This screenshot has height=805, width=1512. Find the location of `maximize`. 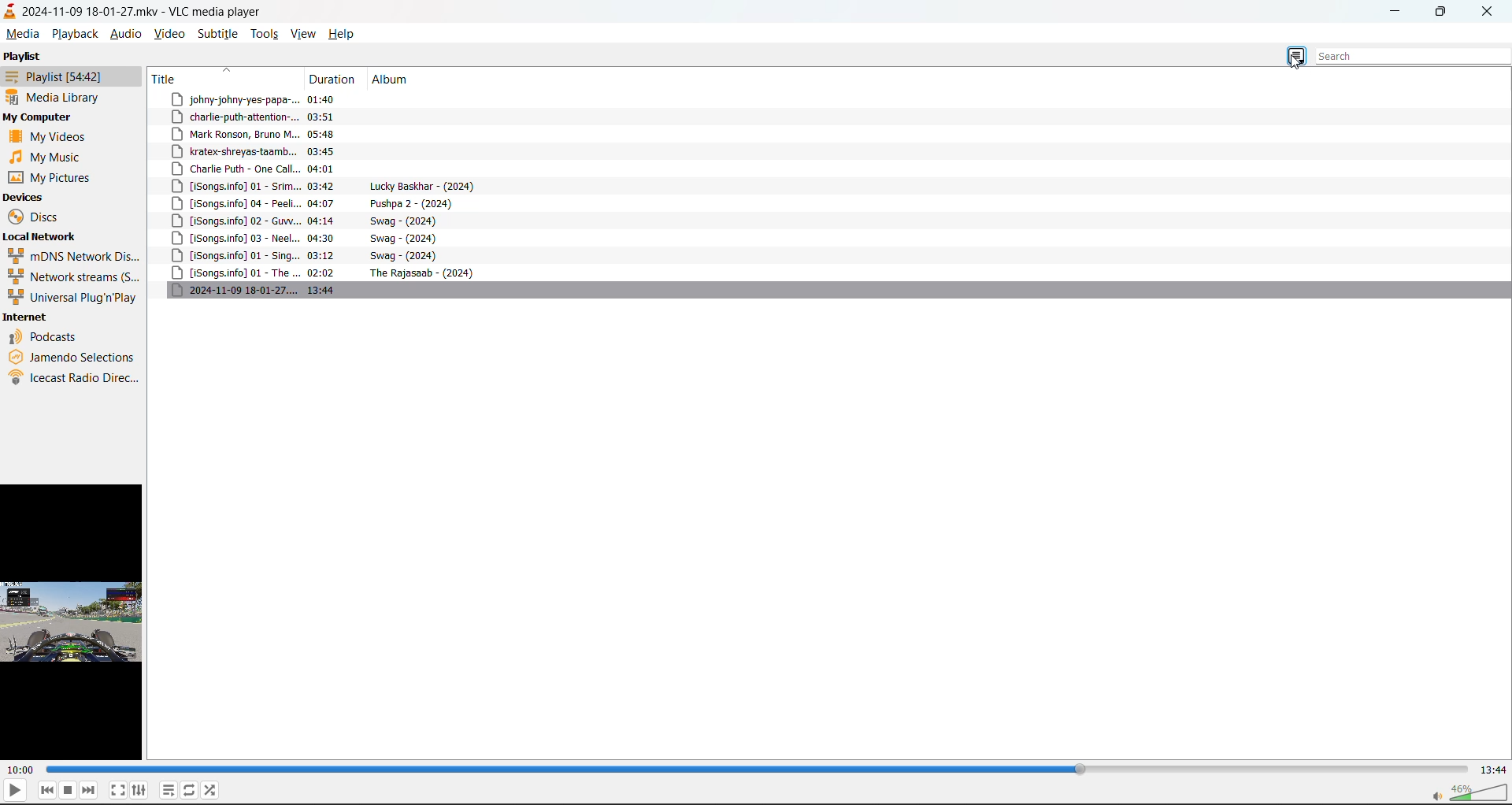

maximize is located at coordinates (1441, 16).